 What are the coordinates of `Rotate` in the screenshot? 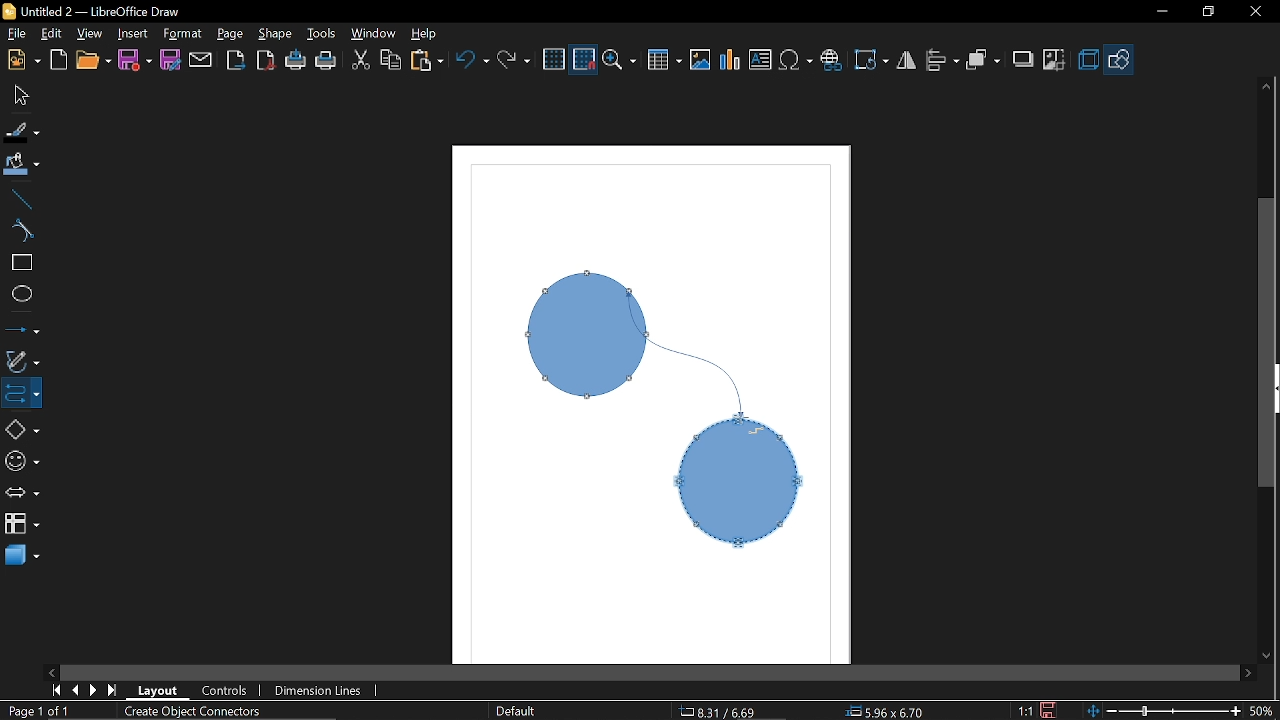 It's located at (872, 58).